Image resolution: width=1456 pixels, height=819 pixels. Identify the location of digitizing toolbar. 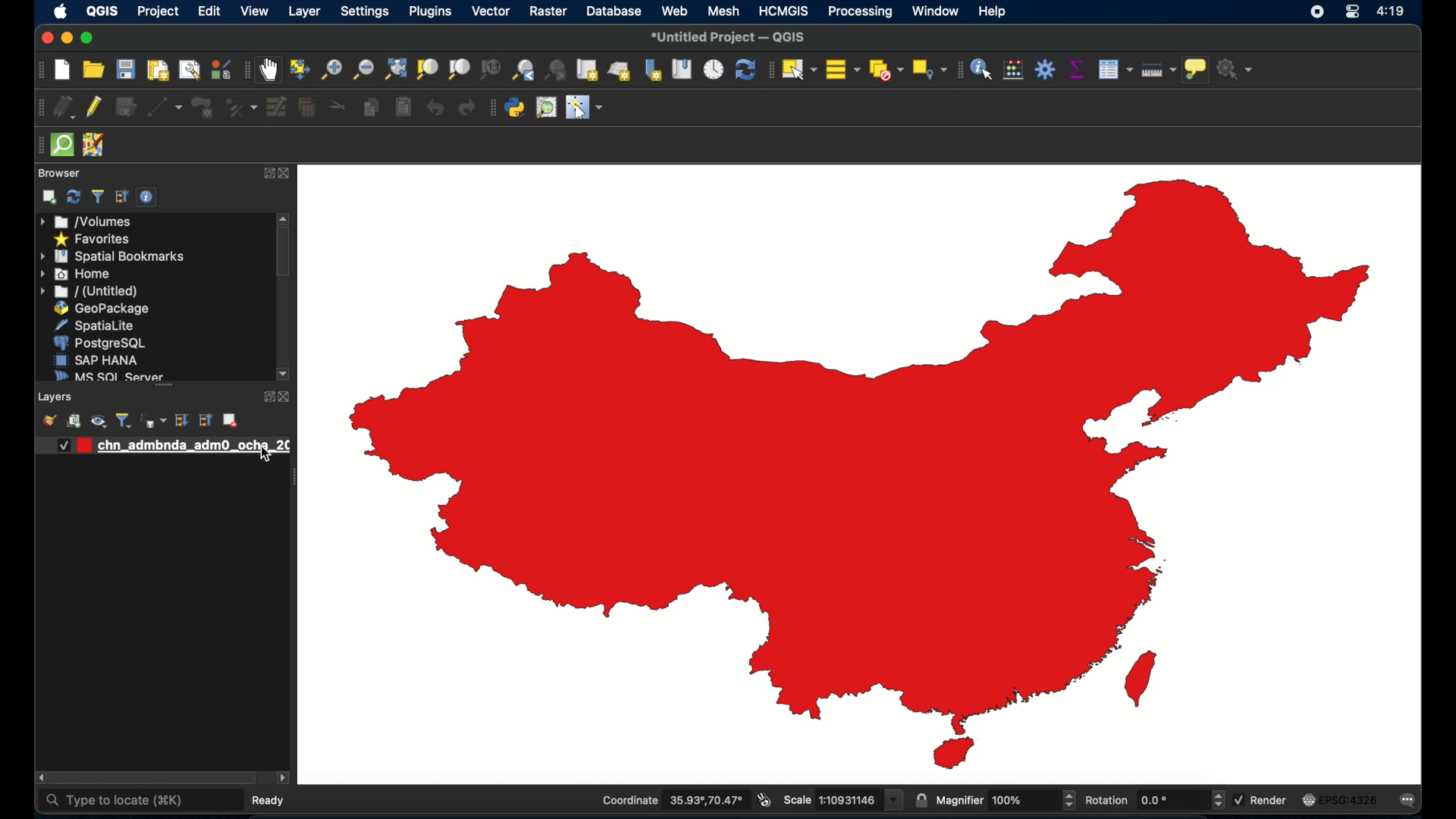
(38, 109).